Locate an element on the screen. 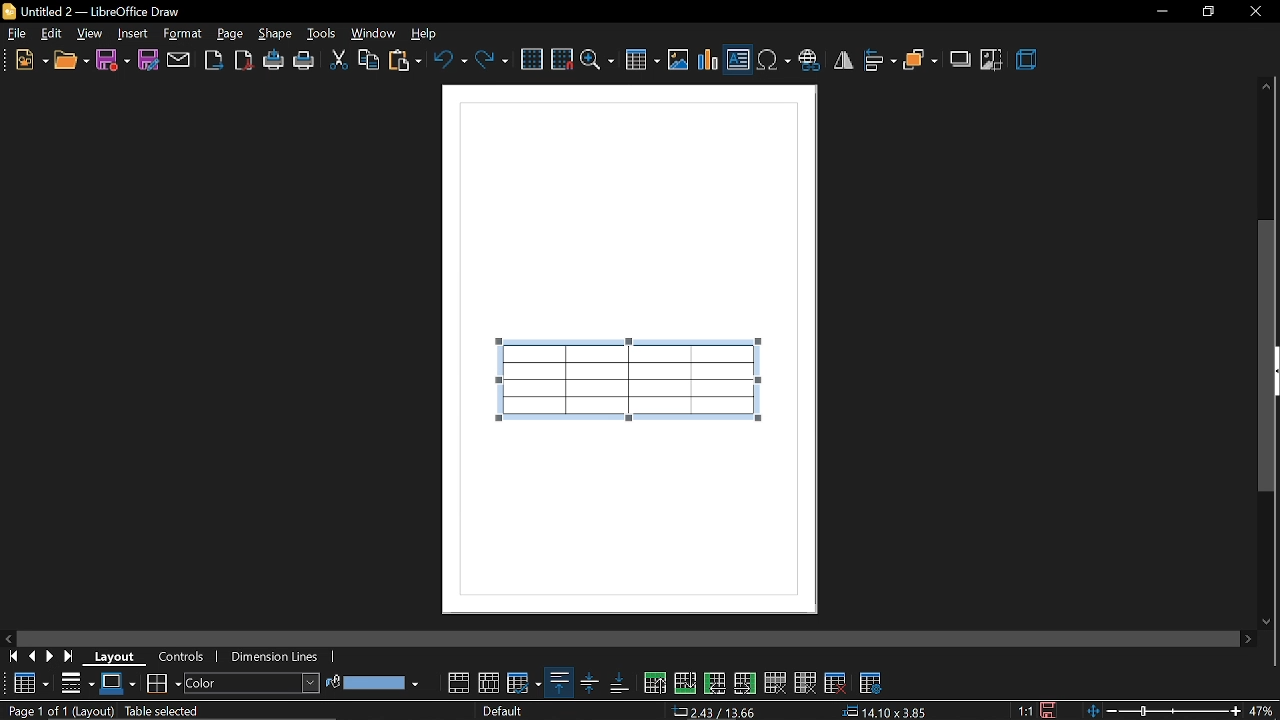  47% is located at coordinates (1265, 711).